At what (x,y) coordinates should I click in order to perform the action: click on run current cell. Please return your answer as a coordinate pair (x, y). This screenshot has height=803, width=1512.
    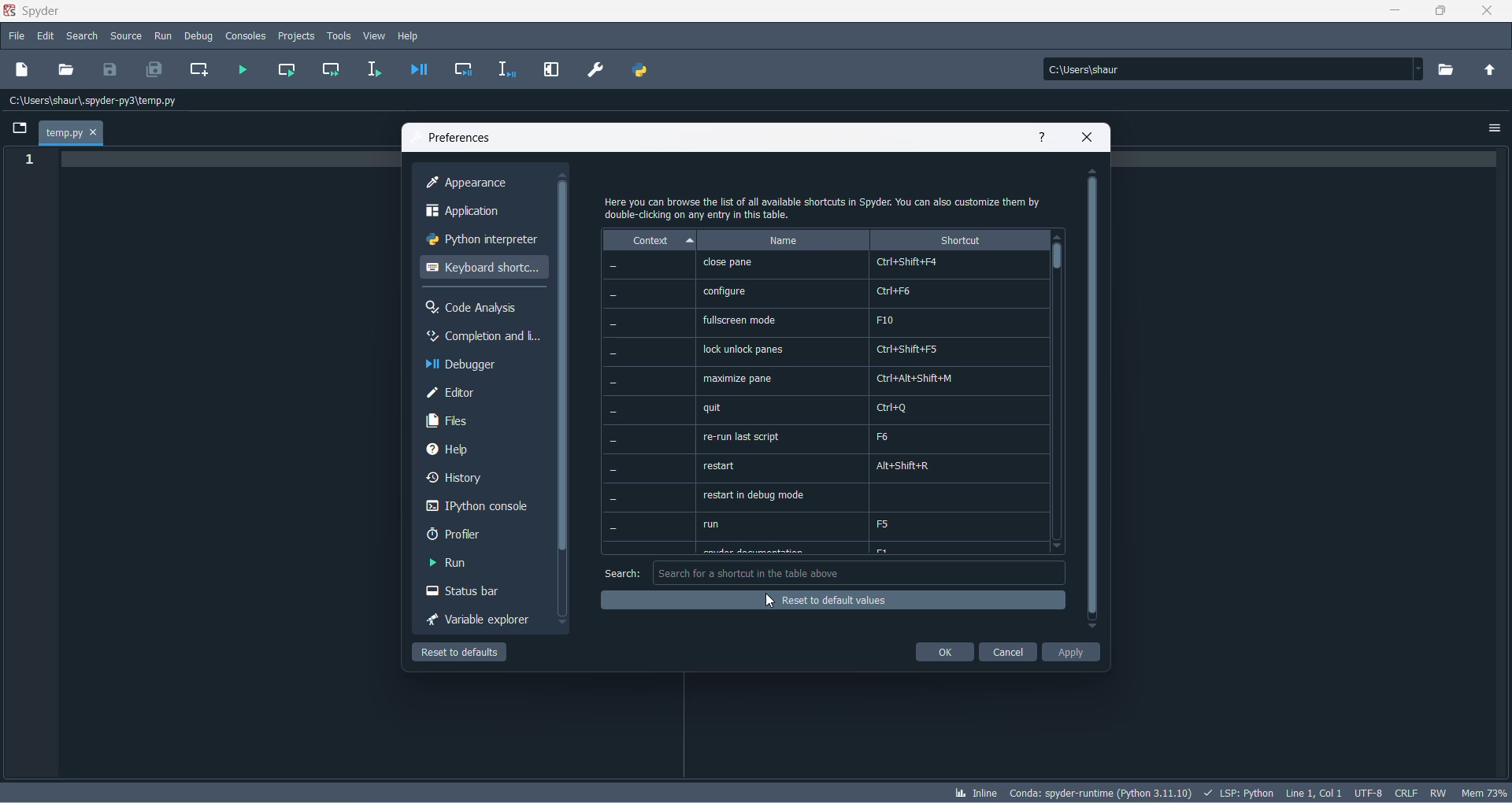
    Looking at the image, I should click on (332, 69).